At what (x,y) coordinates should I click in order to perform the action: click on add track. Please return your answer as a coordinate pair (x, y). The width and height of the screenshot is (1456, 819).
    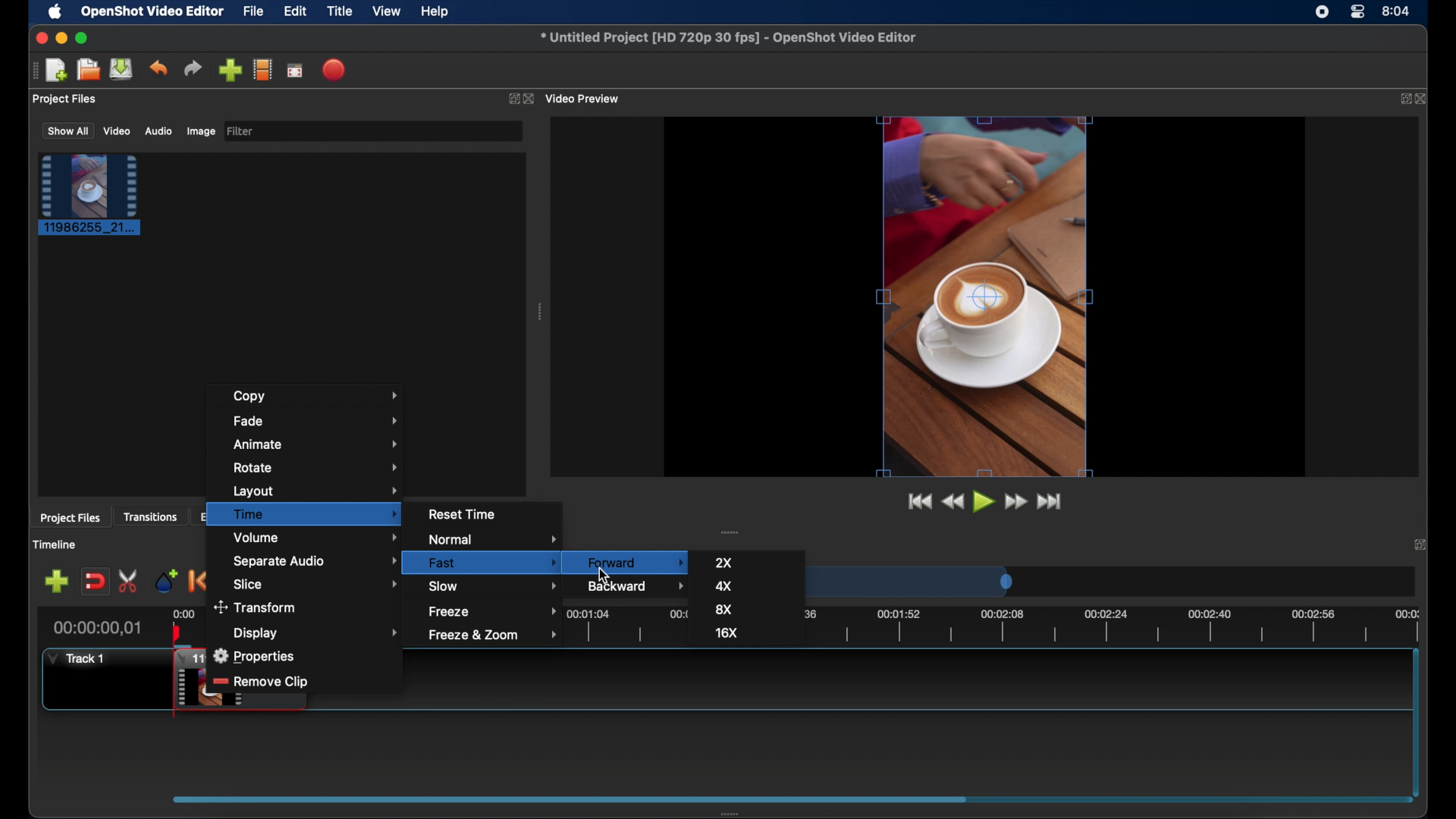
    Looking at the image, I should click on (56, 581).